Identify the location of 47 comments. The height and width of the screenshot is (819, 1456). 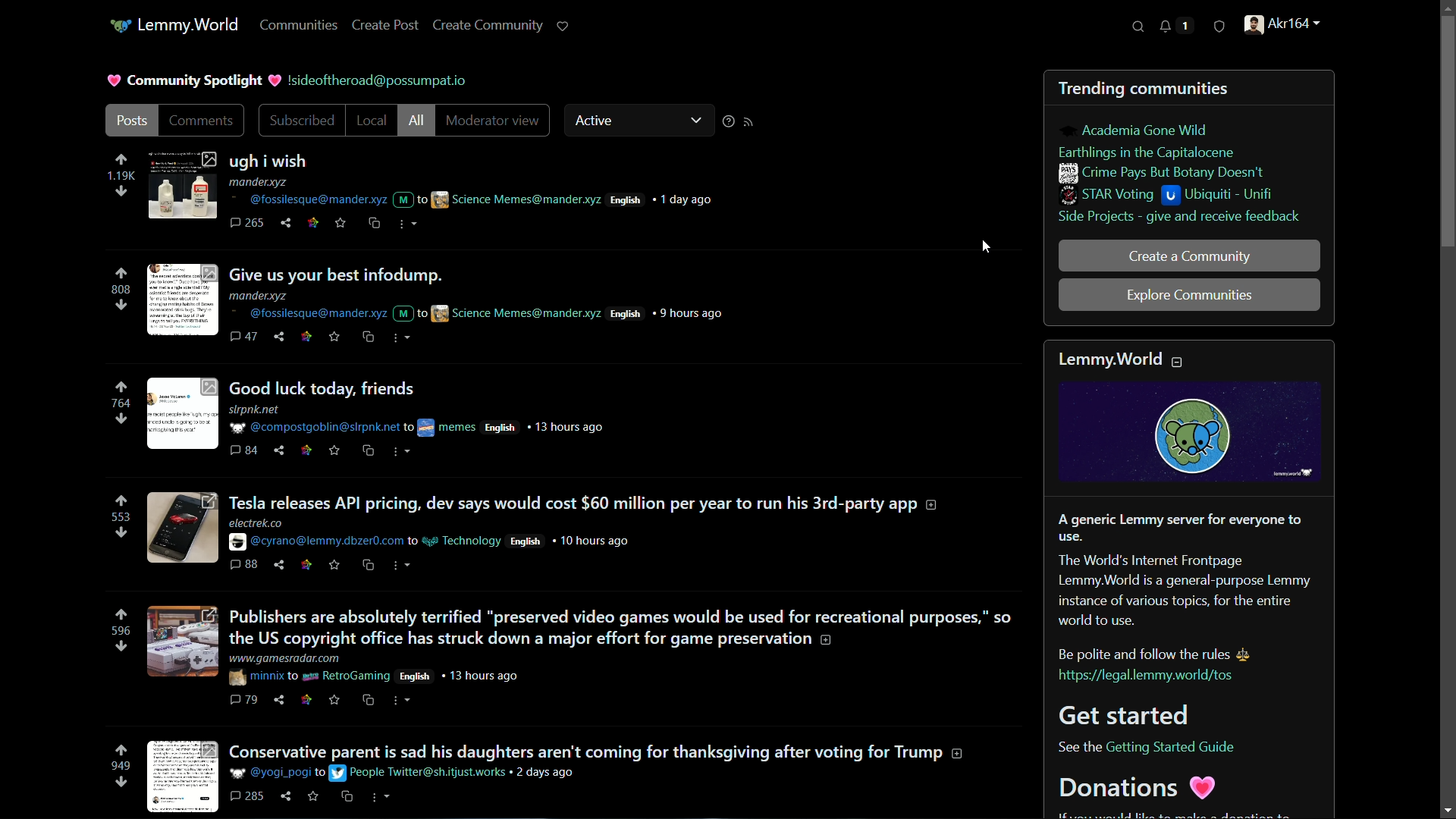
(243, 337).